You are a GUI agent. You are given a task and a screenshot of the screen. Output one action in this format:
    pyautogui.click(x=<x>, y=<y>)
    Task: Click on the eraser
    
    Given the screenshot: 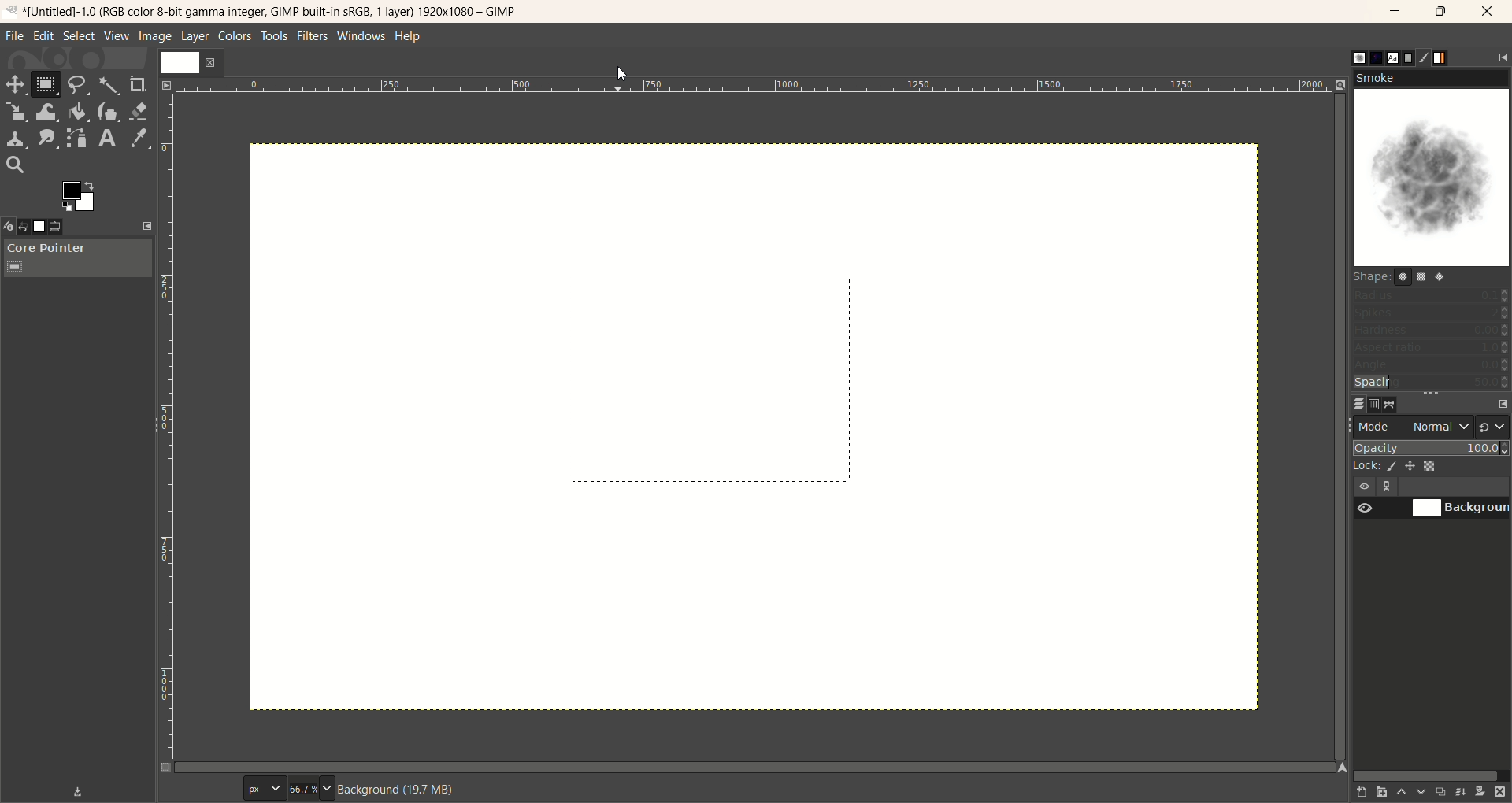 What is the action you would take?
    pyautogui.click(x=139, y=110)
    